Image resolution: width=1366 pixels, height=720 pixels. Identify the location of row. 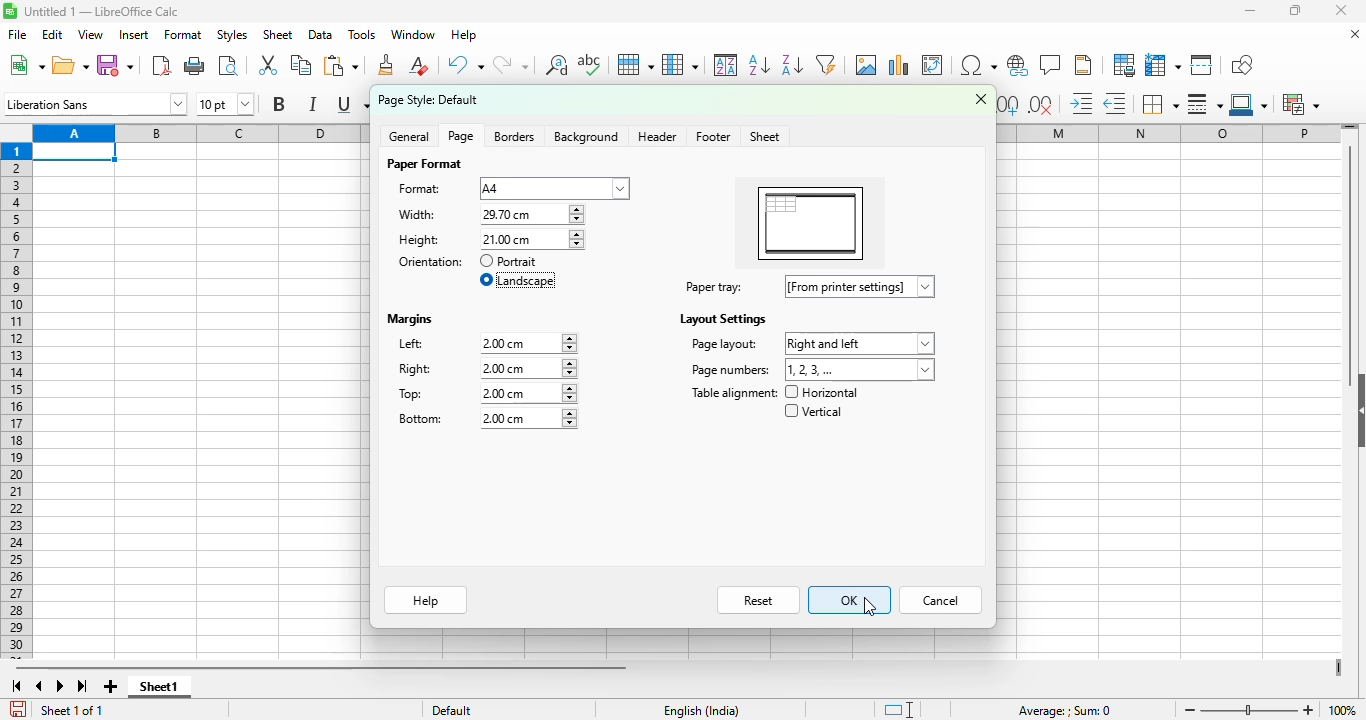
(636, 65).